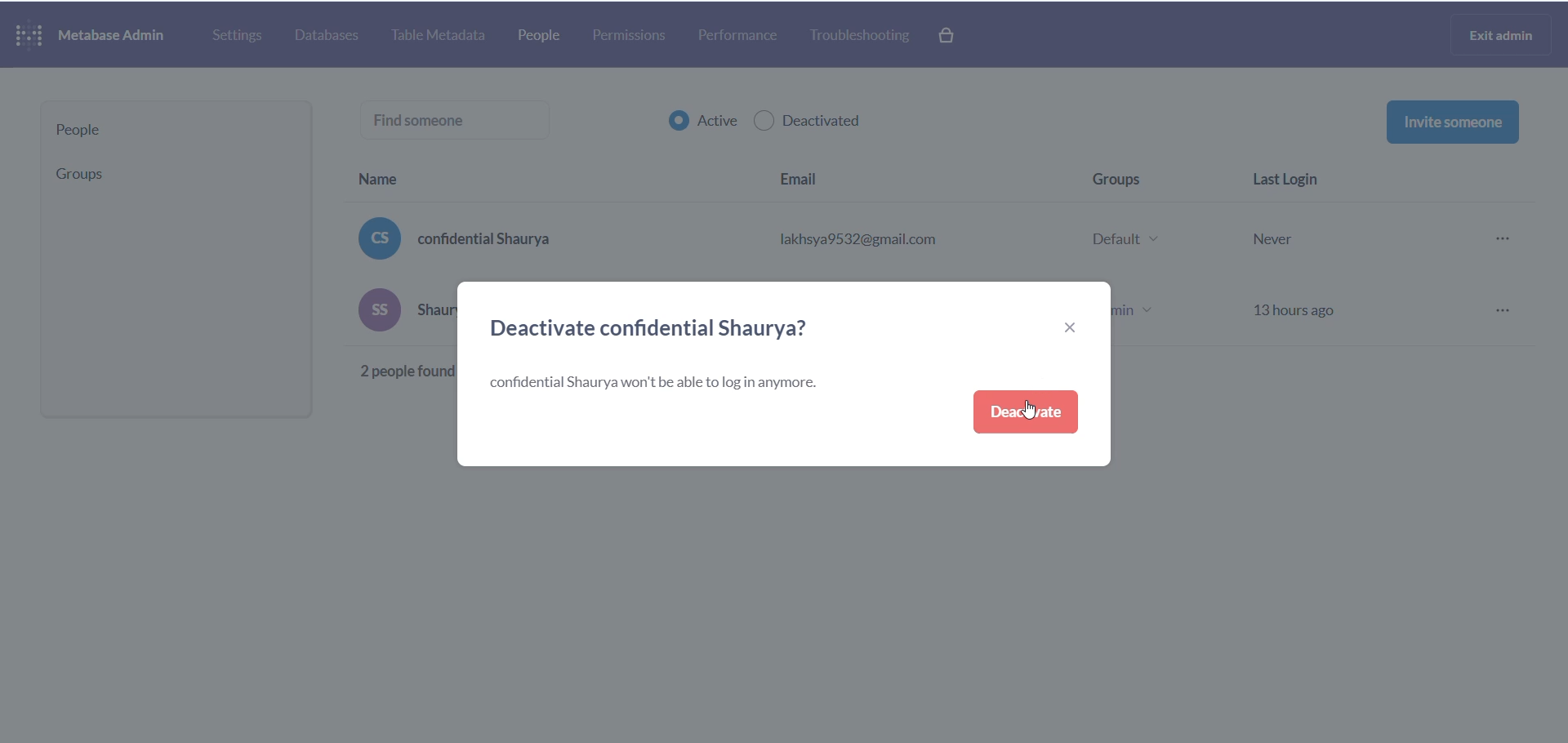 Image resolution: width=1568 pixels, height=743 pixels. What do you see at coordinates (864, 35) in the screenshot?
I see `troubleshooting` at bounding box center [864, 35].